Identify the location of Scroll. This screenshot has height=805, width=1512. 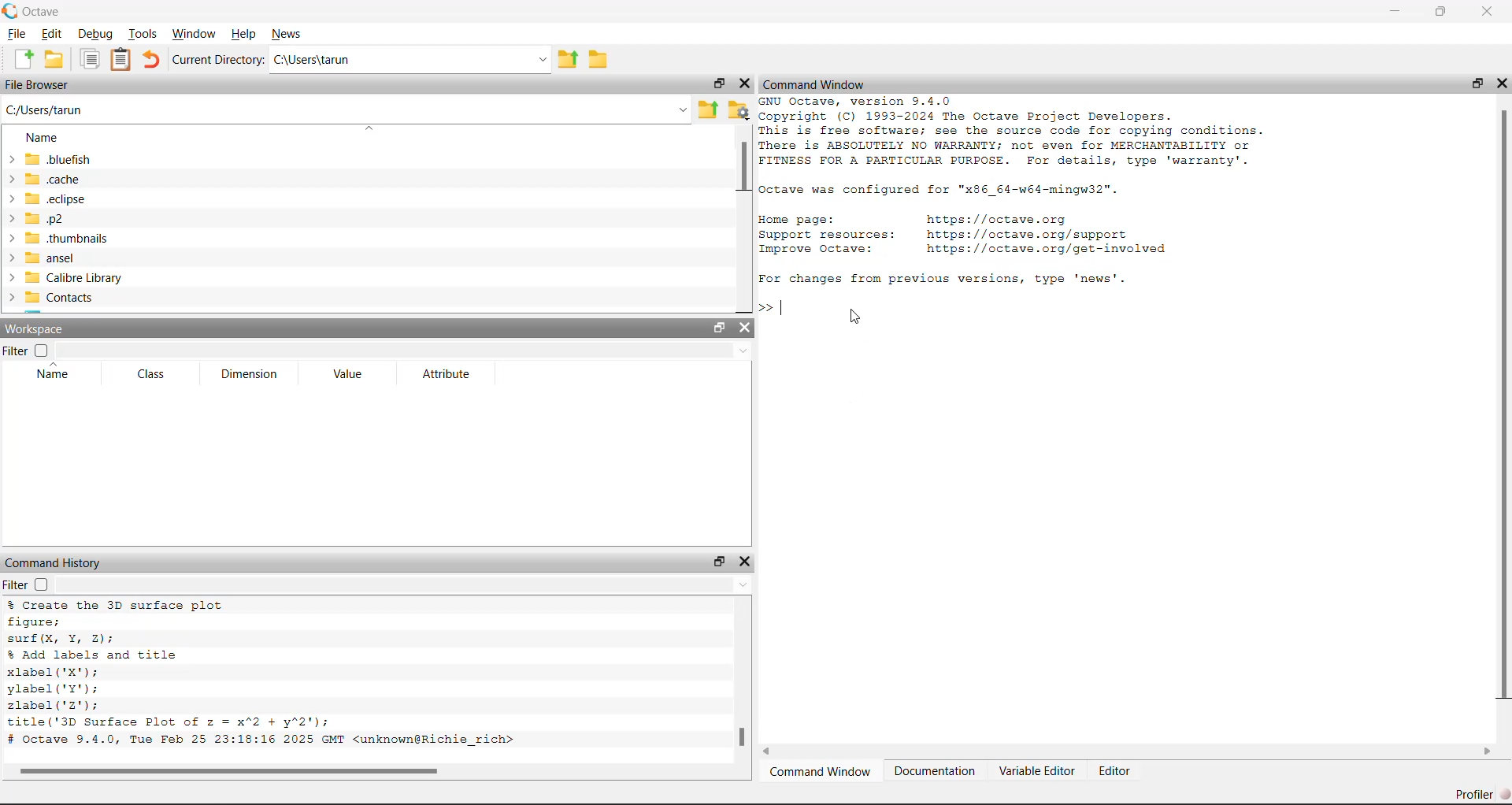
(1504, 419).